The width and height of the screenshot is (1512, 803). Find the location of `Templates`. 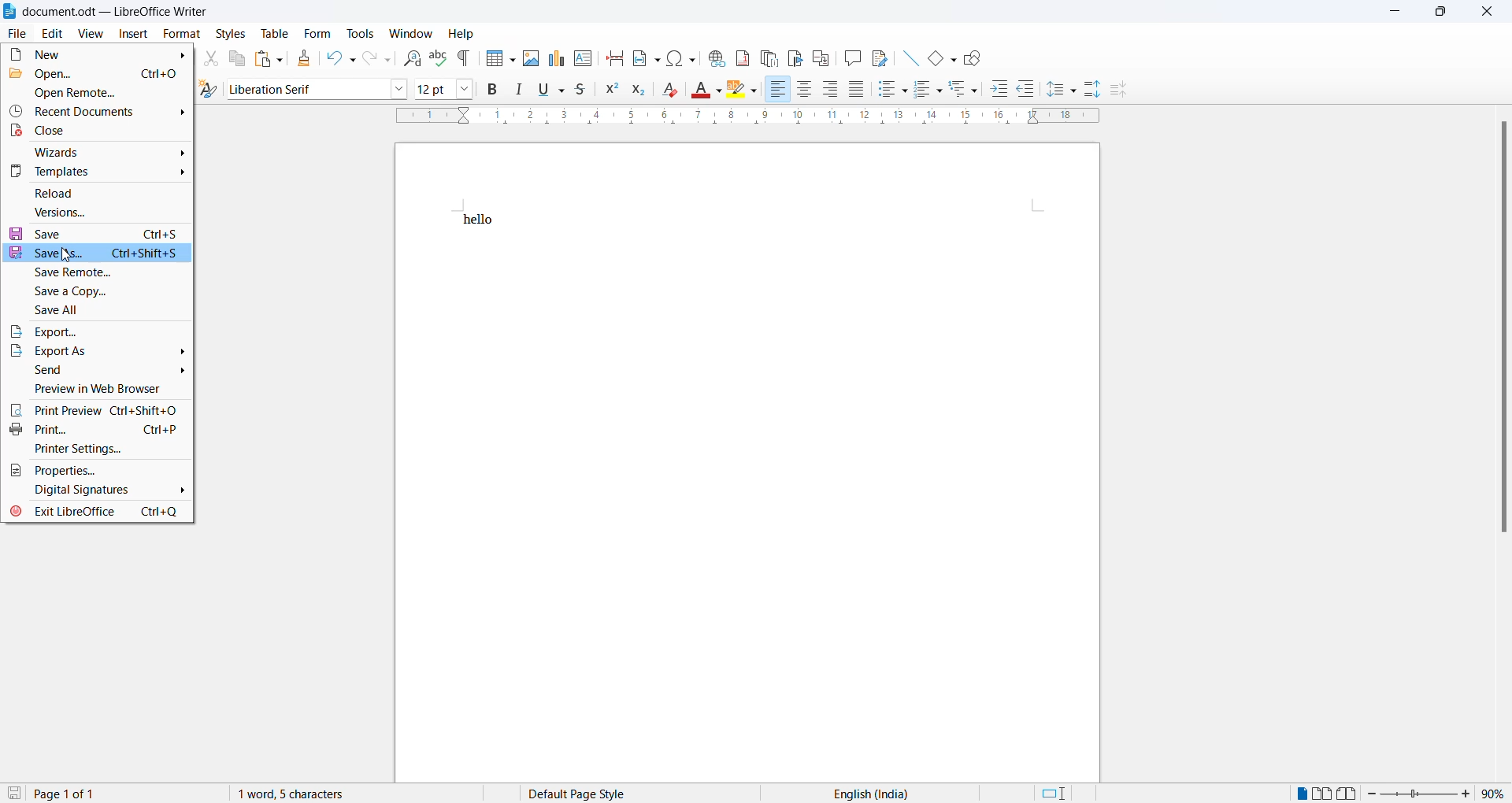

Templates is located at coordinates (98, 174).